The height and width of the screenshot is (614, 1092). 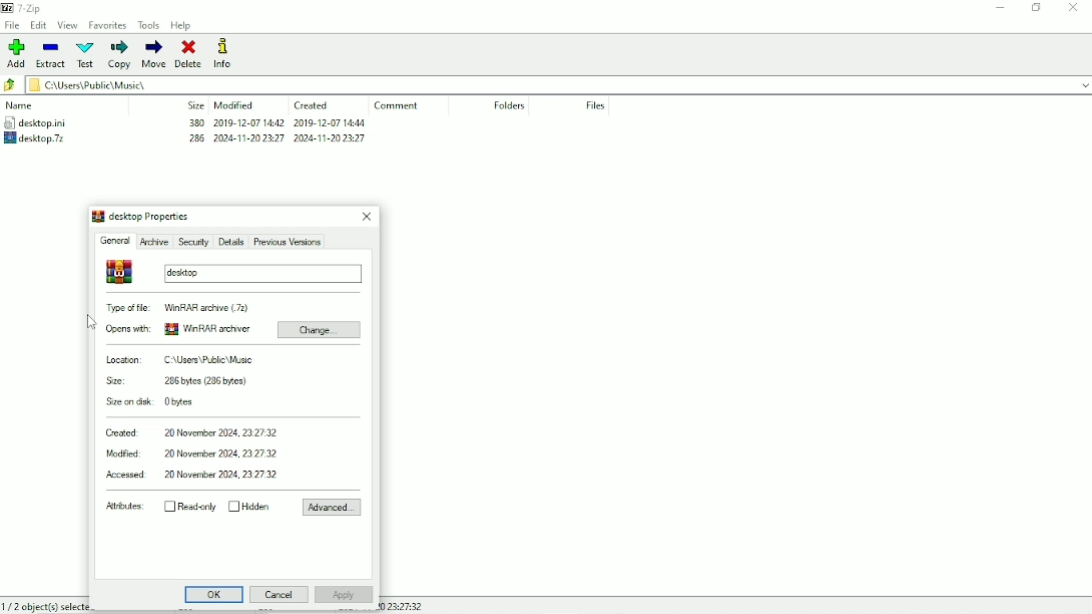 What do you see at coordinates (398, 105) in the screenshot?
I see `Comment` at bounding box center [398, 105].